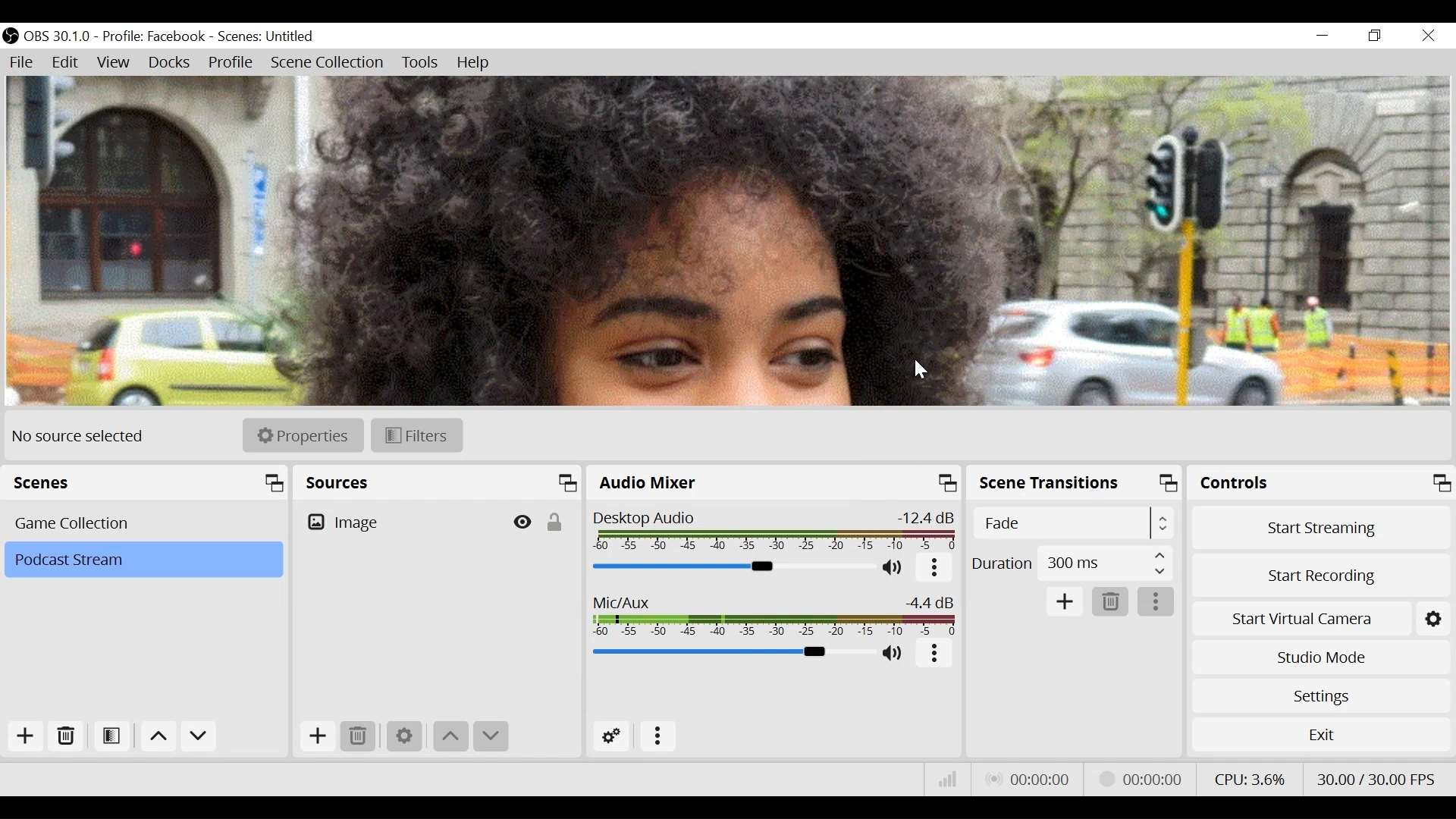  Describe the element at coordinates (148, 482) in the screenshot. I see `Scenes Panel` at that location.